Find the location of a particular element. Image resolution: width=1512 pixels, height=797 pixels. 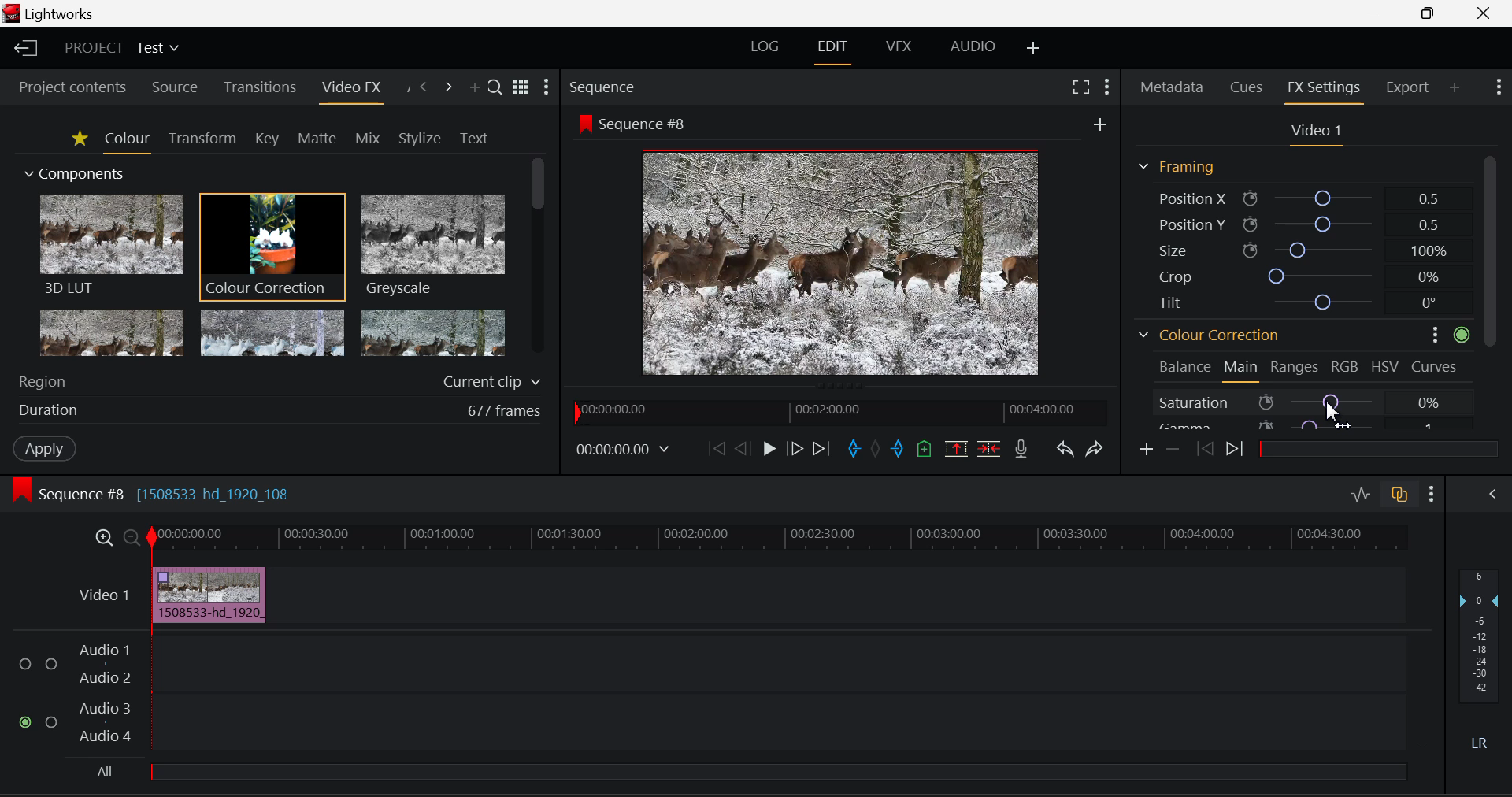

Show Settings is located at coordinates (1106, 87).